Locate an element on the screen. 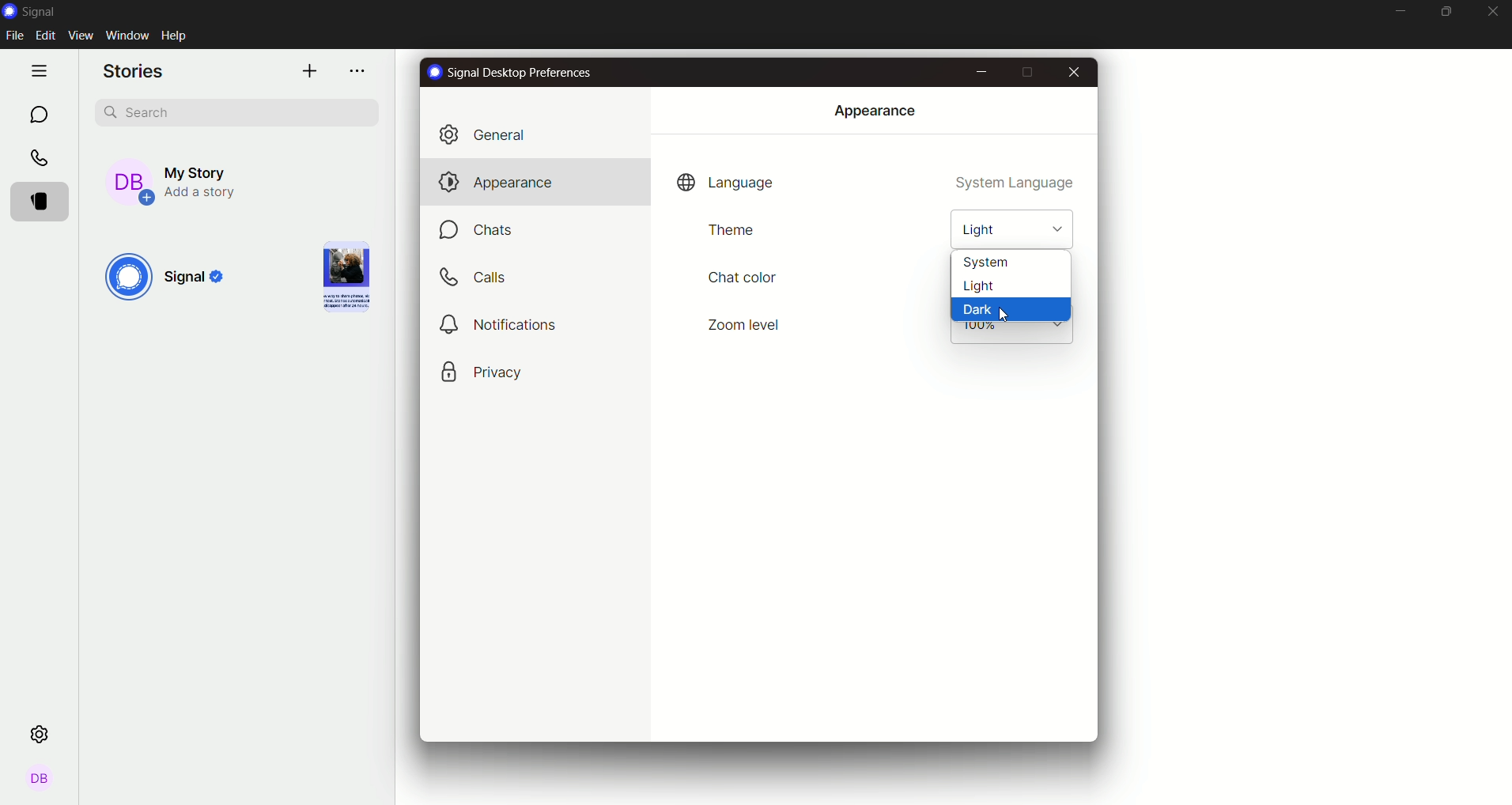 The height and width of the screenshot is (805, 1512). appearance is located at coordinates (874, 110).